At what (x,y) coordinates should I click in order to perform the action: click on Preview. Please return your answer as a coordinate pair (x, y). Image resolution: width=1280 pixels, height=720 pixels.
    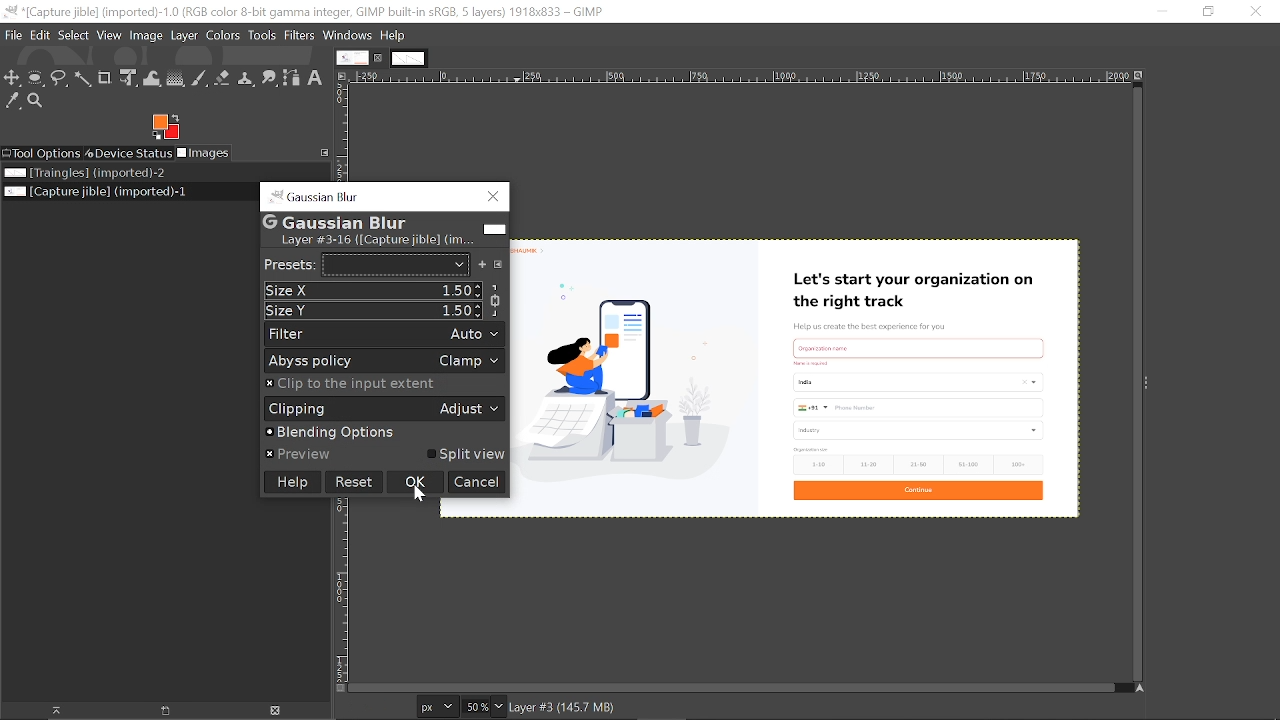
    Looking at the image, I should click on (299, 454).